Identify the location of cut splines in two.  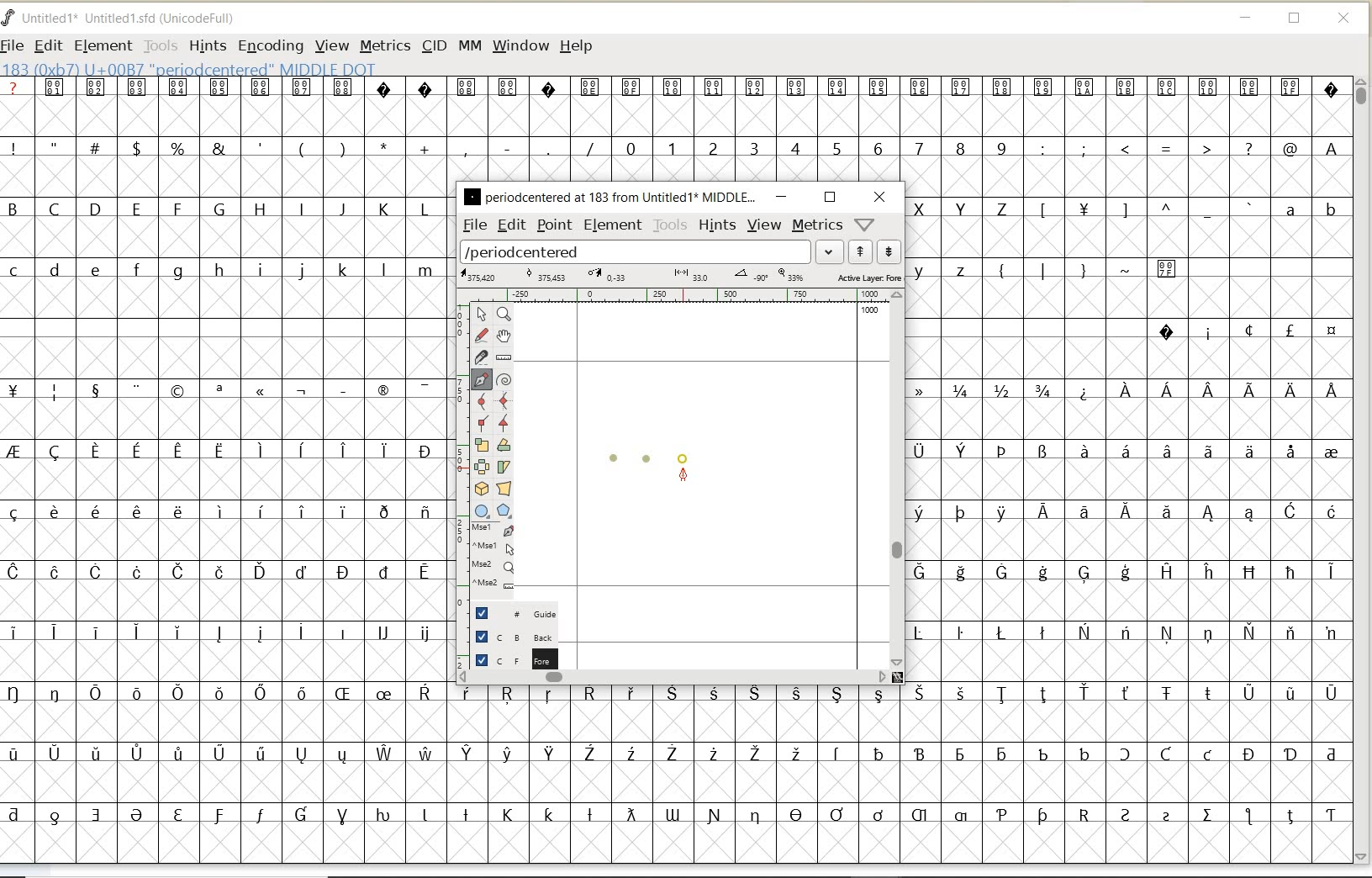
(481, 357).